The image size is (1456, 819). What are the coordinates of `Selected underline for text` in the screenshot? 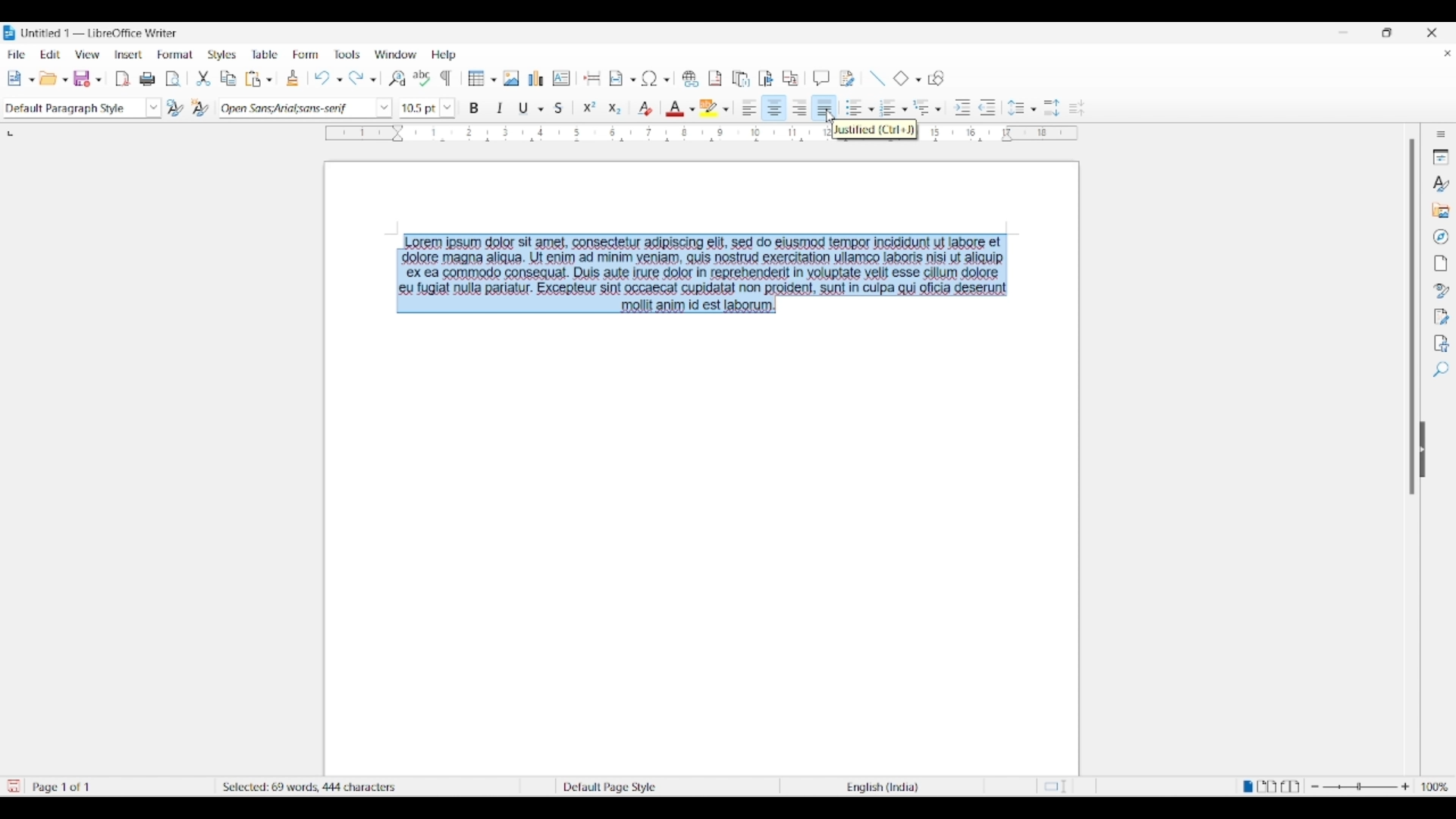 It's located at (523, 108).